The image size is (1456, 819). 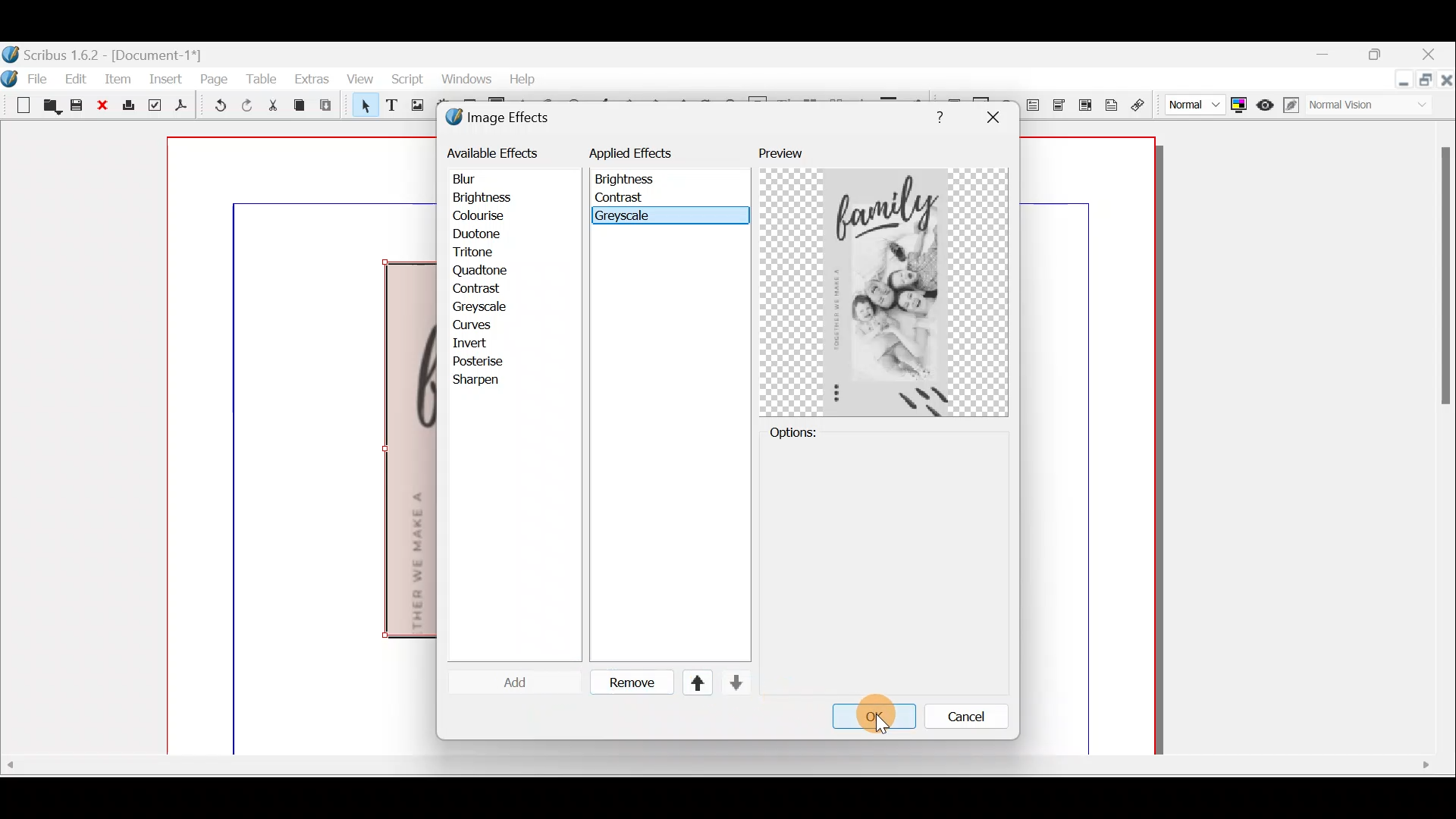 I want to click on maximise, so click(x=1379, y=56).